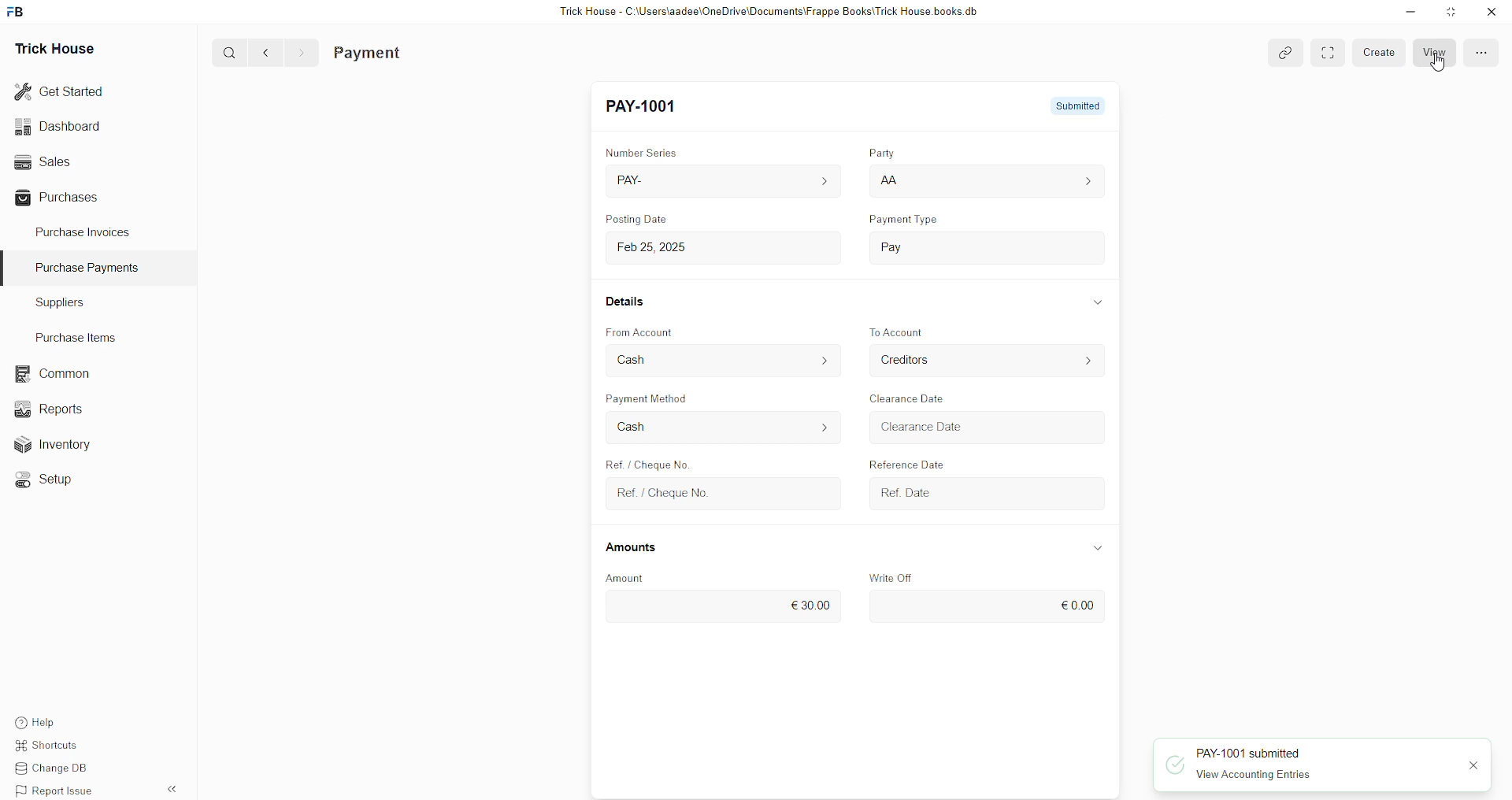 This screenshot has width=1512, height=800. I want to click on Party, so click(876, 154).